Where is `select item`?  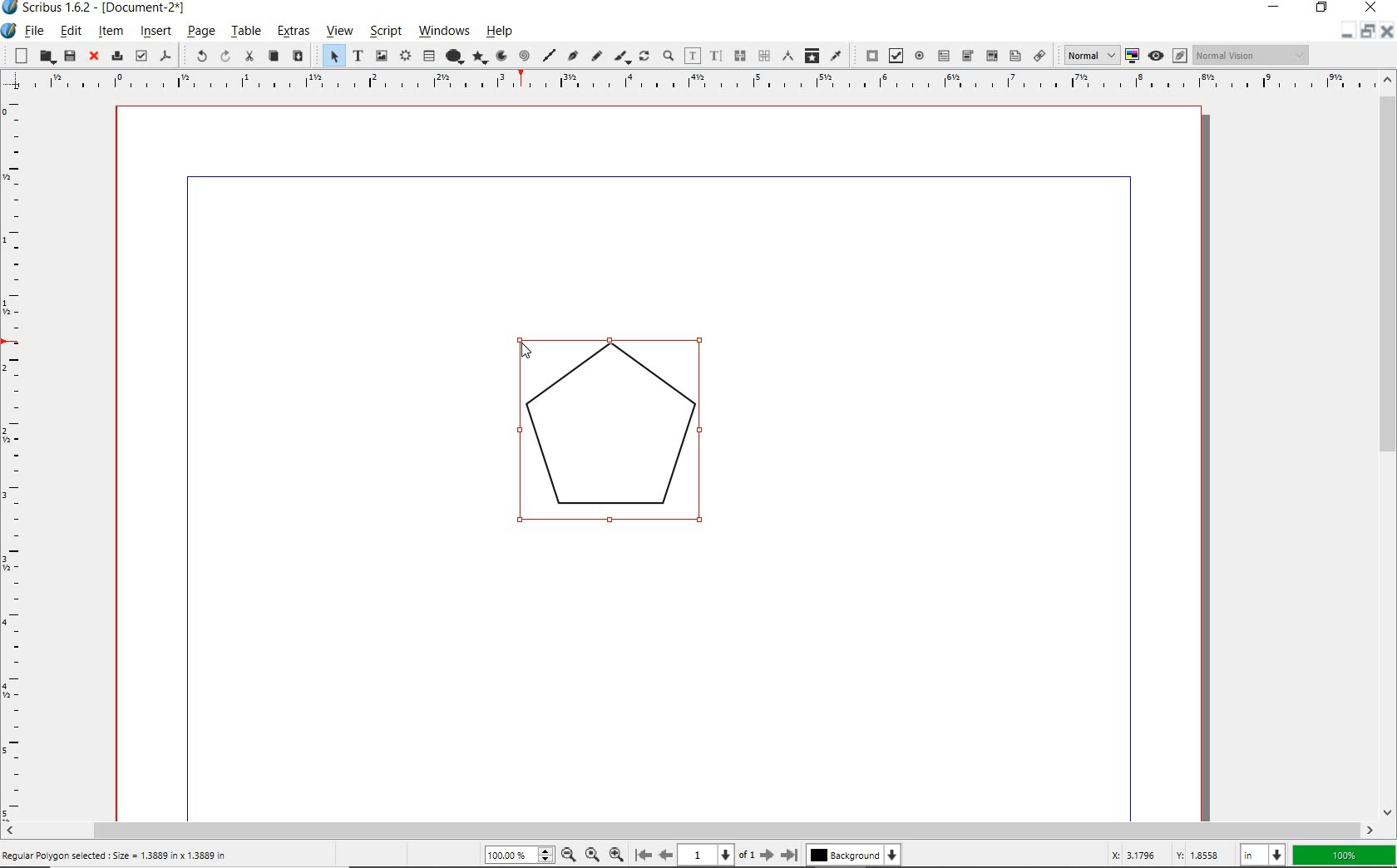 select item is located at coordinates (330, 56).